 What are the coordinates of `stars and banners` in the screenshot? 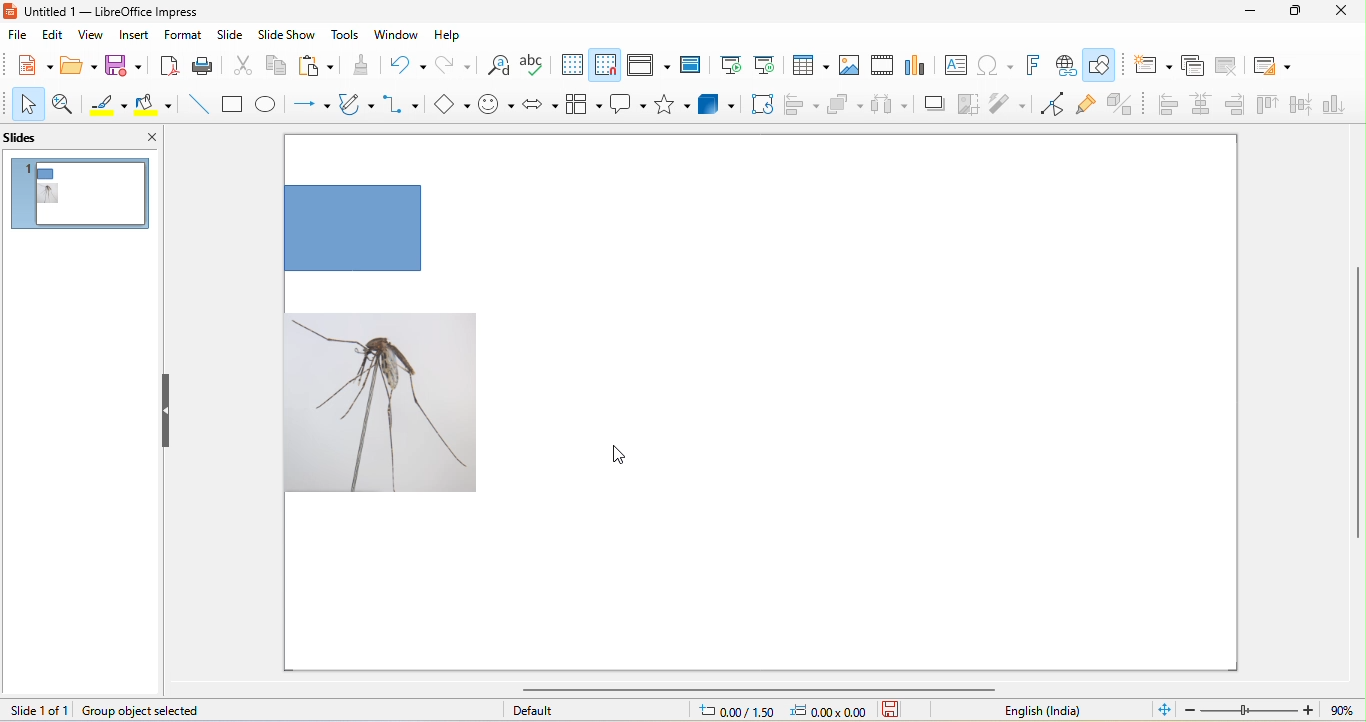 It's located at (676, 105).